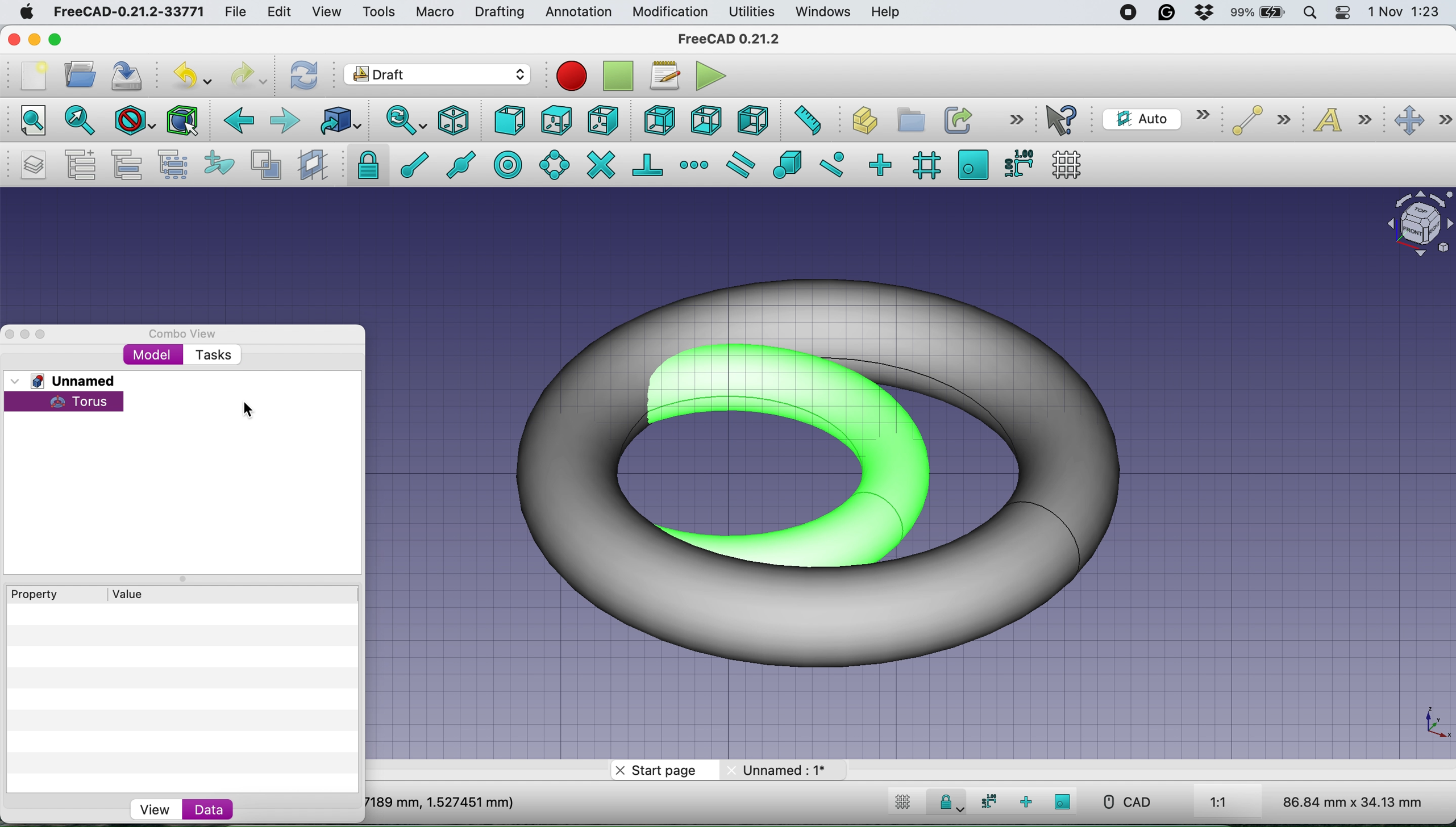  Describe the element at coordinates (1014, 120) in the screenshot. I see `more options` at that location.